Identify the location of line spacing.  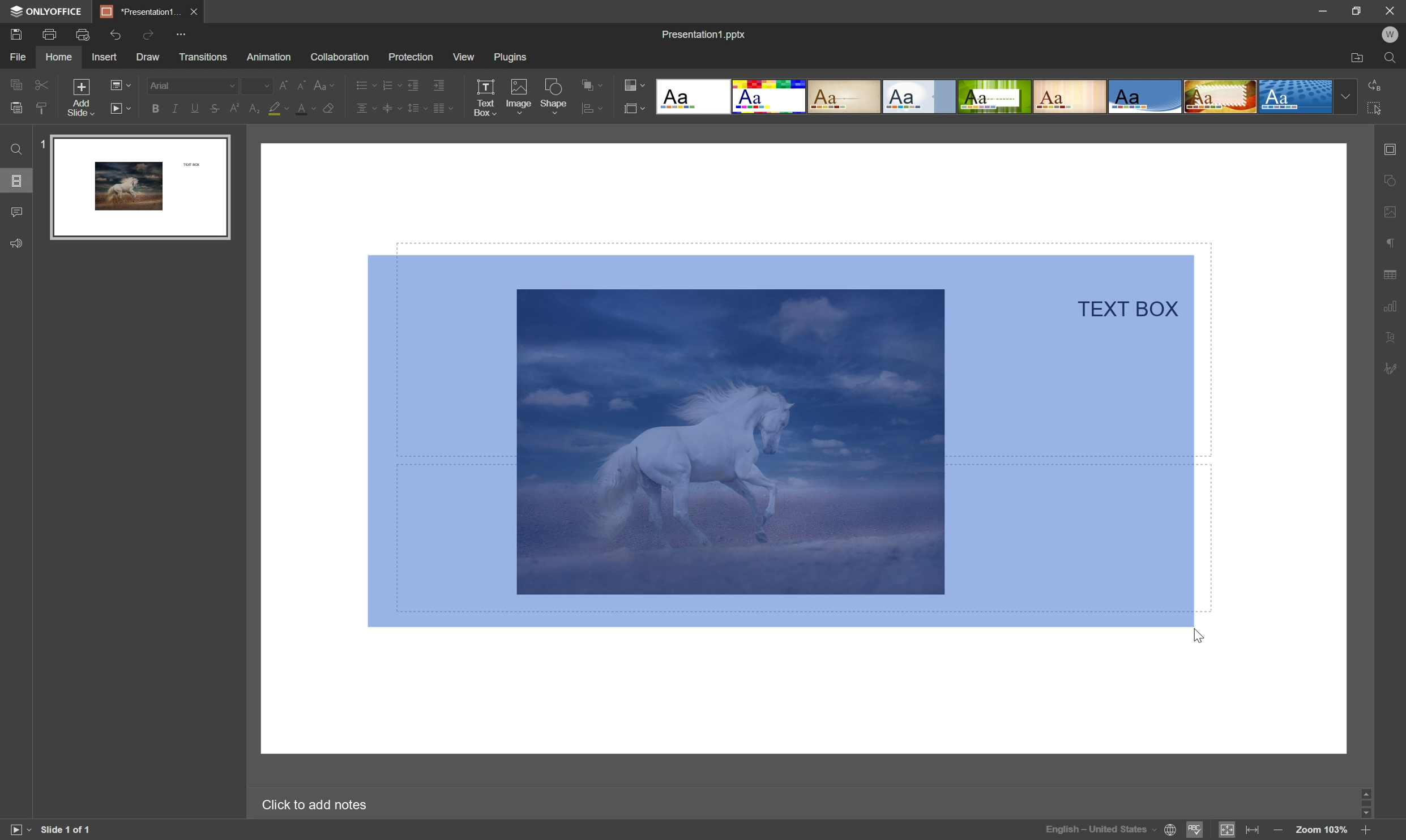
(417, 108).